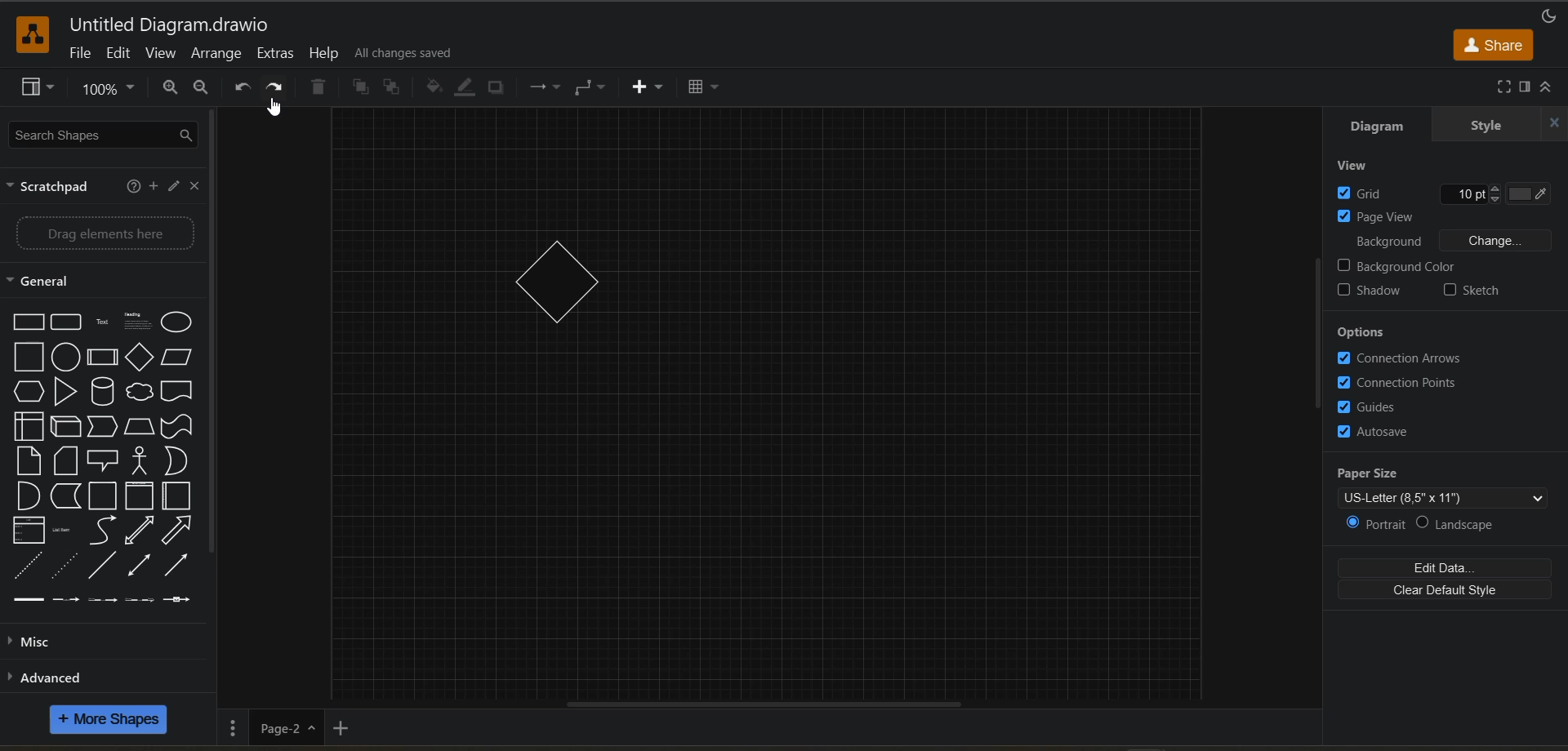  I want to click on file, so click(82, 54).